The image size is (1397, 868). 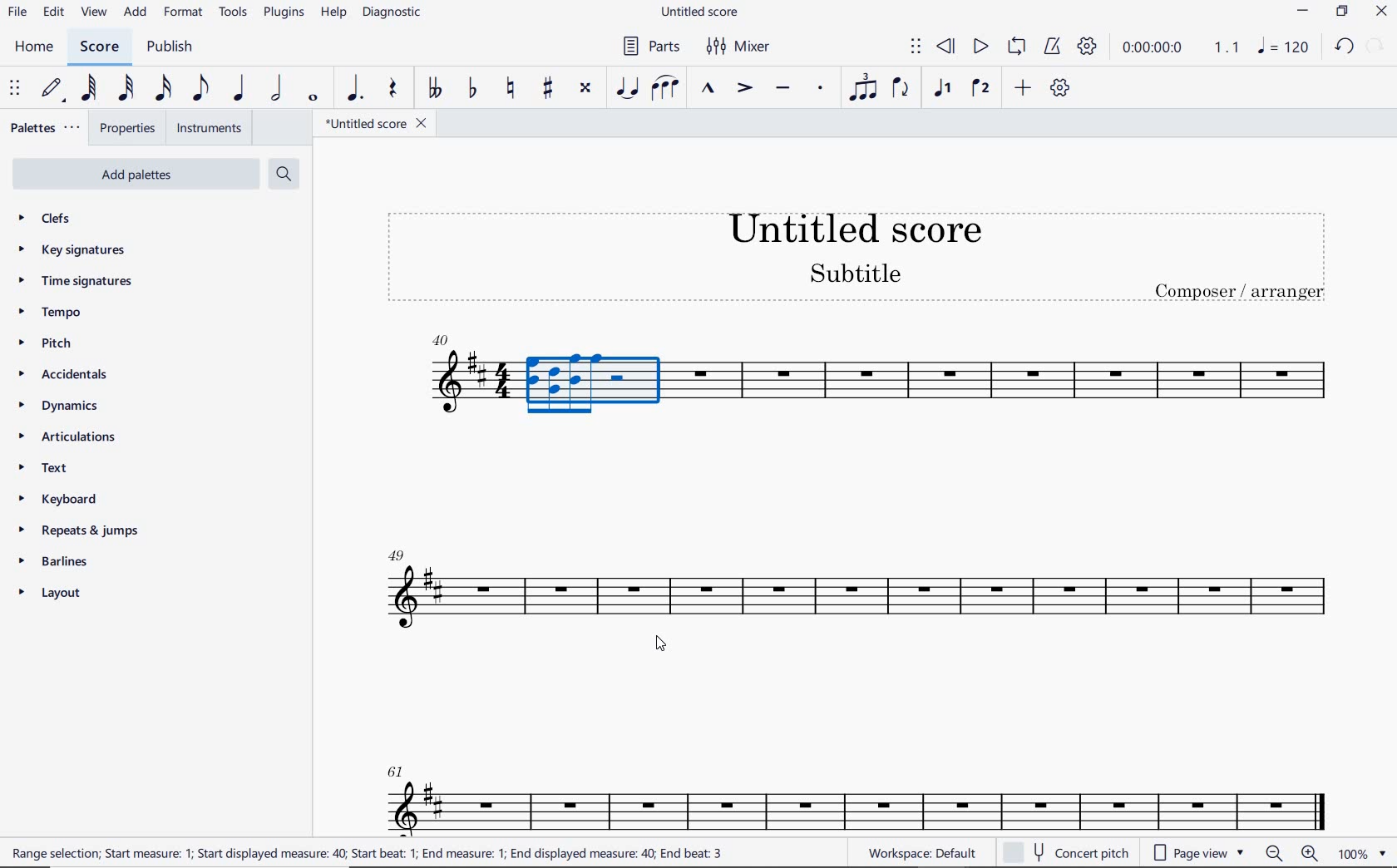 What do you see at coordinates (921, 855) in the screenshot?
I see `workspace default` at bounding box center [921, 855].